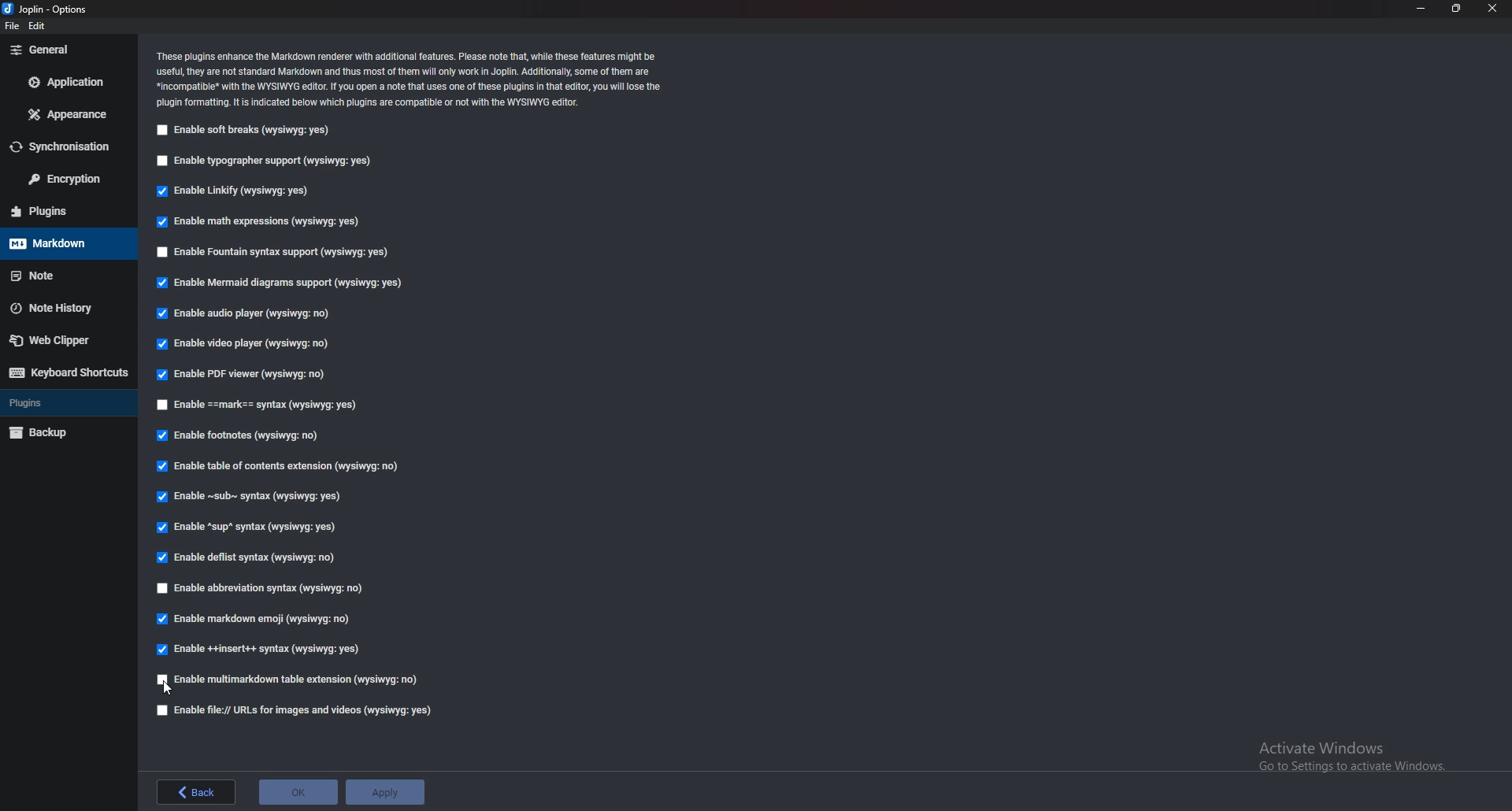 Image resolution: width=1512 pixels, height=811 pixels. Describe the element at coordinates (280, 283) in the screenshot. I see `enable mermaid diagrams support` at that location.